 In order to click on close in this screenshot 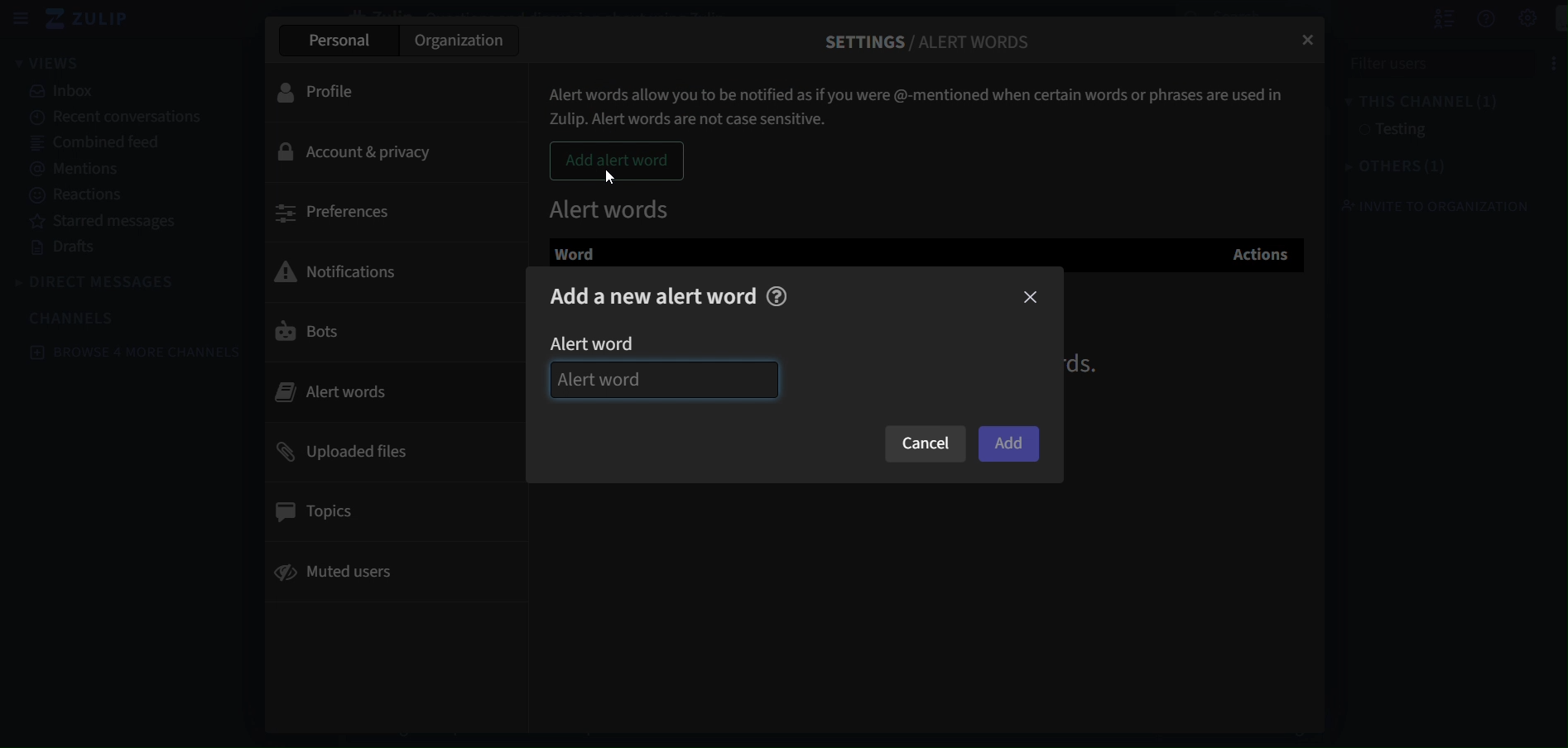, I will do `click(1031, 297)`.